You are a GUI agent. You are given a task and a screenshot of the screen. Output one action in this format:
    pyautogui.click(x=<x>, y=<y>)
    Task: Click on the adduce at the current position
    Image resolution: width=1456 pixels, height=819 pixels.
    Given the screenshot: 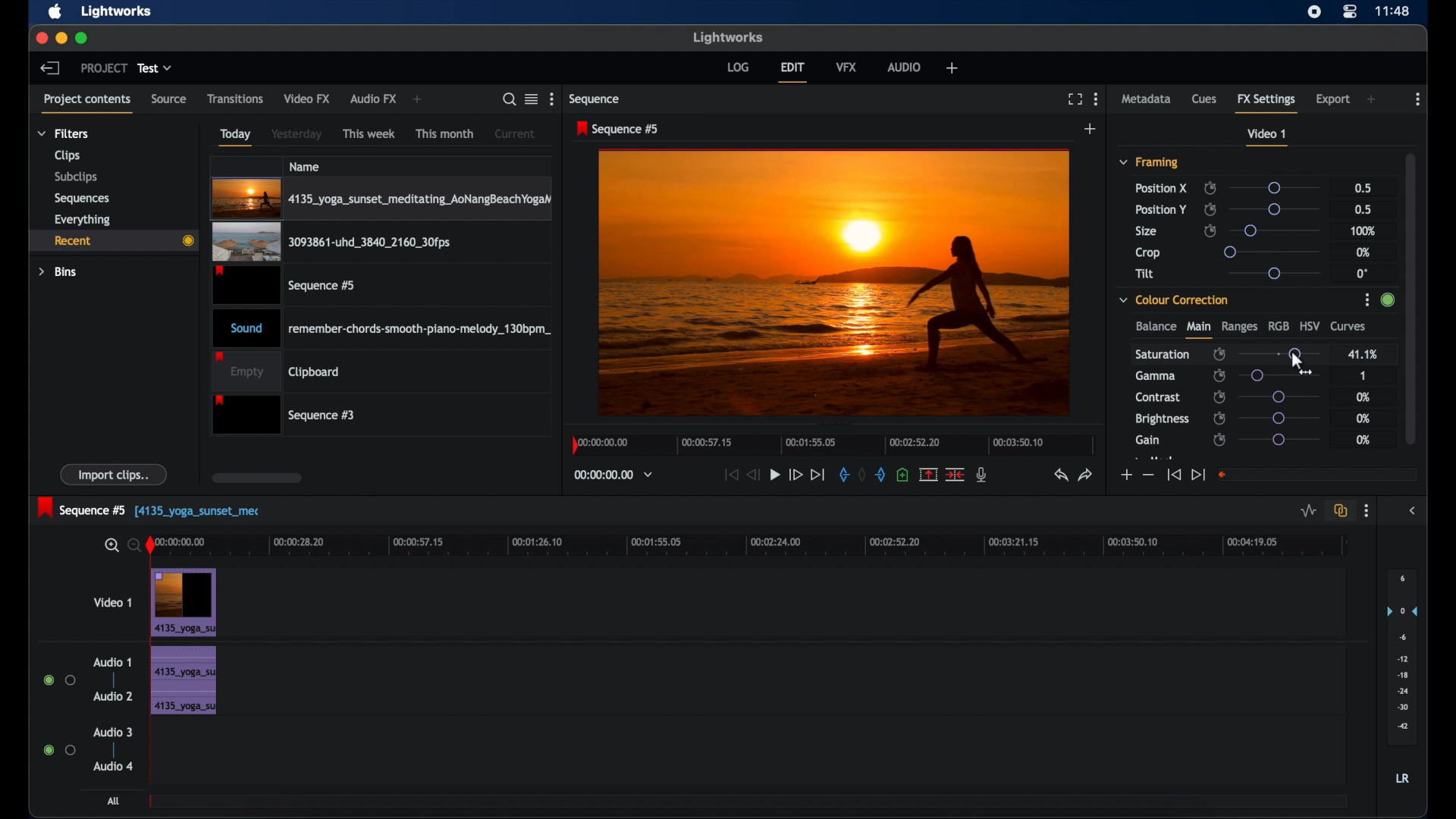 What is the action you would take?
    pyautogui.click(x=902, y=474)
    